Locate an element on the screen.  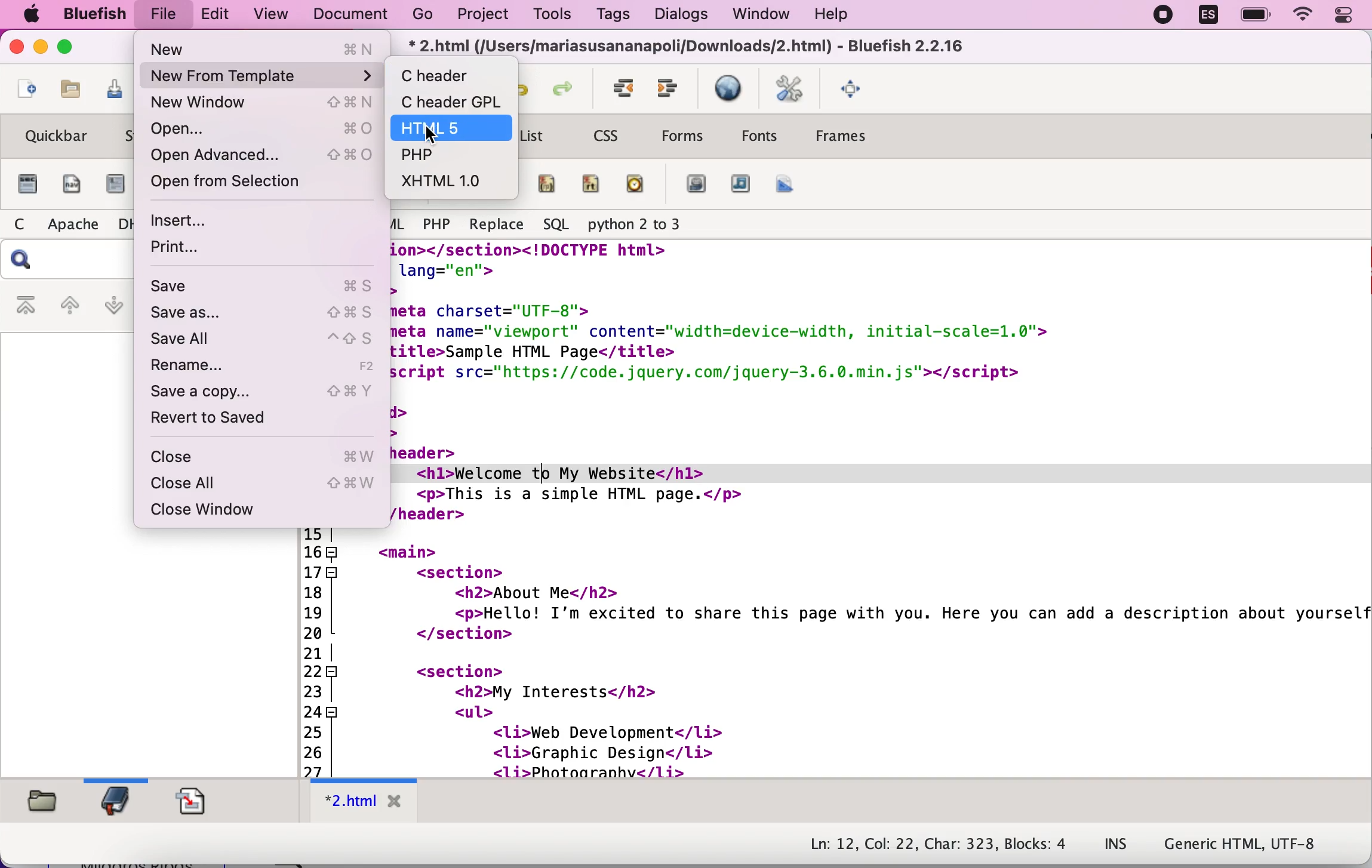
redo is located at coordinates (564, 87).